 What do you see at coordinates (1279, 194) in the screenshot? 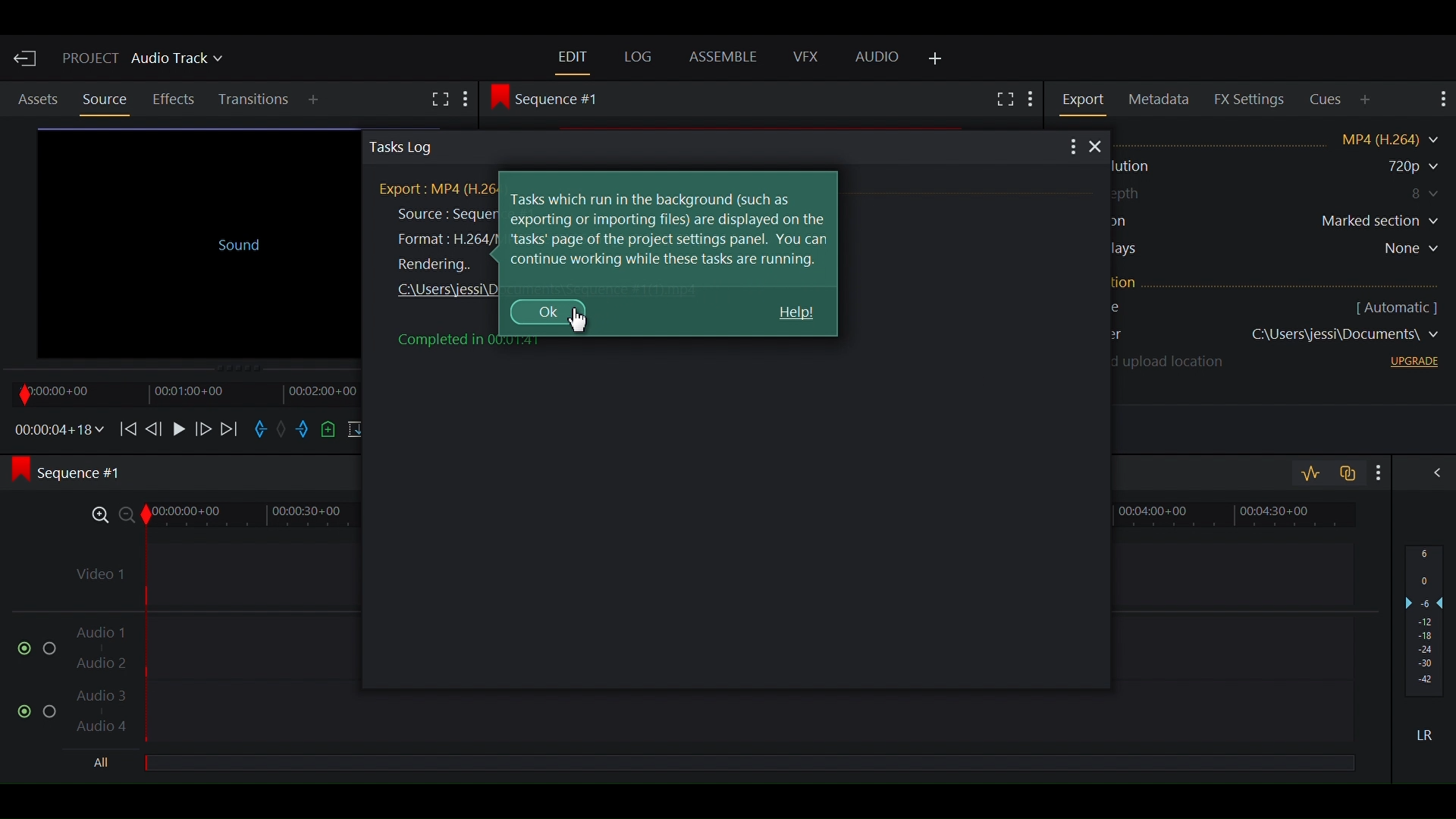
I see `Bit Depth` at bounding box center [1279, 194].